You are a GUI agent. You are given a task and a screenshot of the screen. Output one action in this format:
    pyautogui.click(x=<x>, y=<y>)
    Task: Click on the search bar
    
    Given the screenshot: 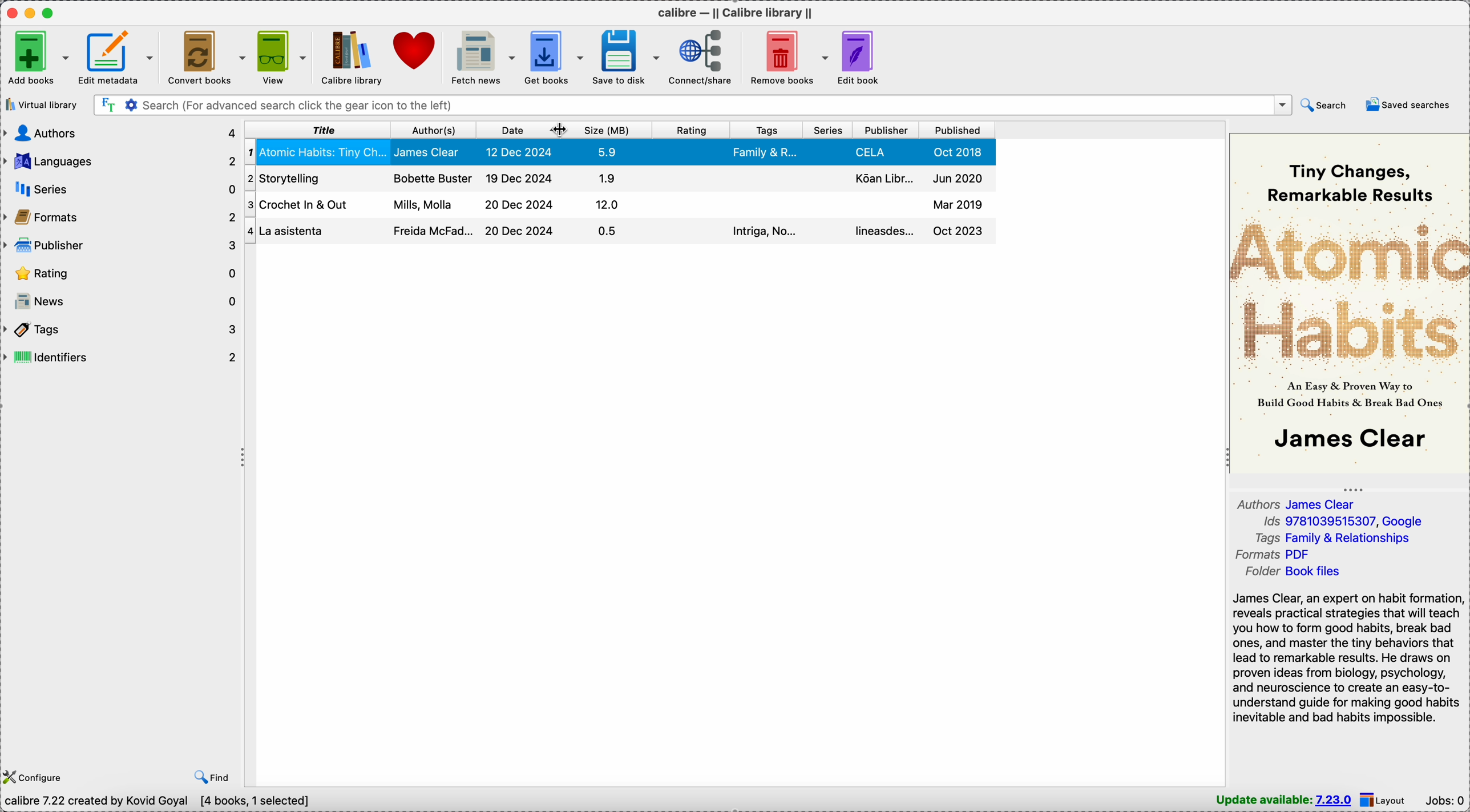 What is the action you would take?
    pyautogui.click(x=692, y=104)
    